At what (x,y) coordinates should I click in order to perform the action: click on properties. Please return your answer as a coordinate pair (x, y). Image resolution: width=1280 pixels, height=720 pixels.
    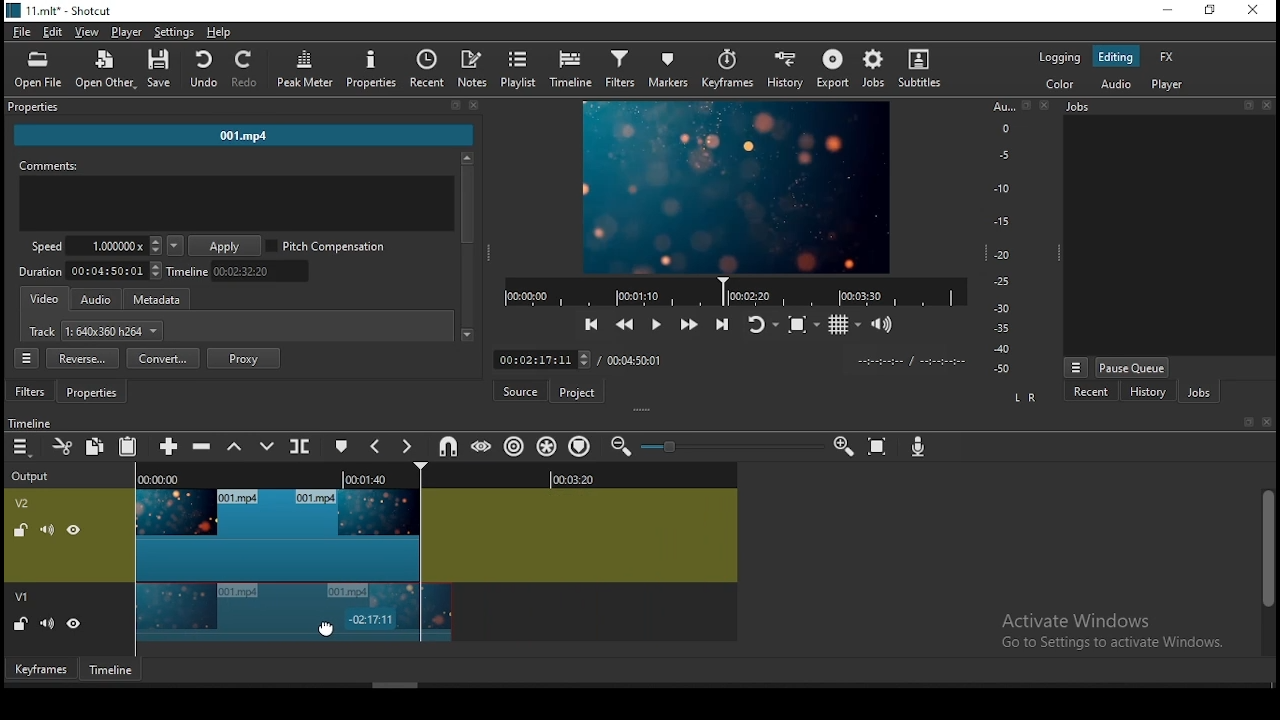
    Looking at the image, I should click on (372, 69).